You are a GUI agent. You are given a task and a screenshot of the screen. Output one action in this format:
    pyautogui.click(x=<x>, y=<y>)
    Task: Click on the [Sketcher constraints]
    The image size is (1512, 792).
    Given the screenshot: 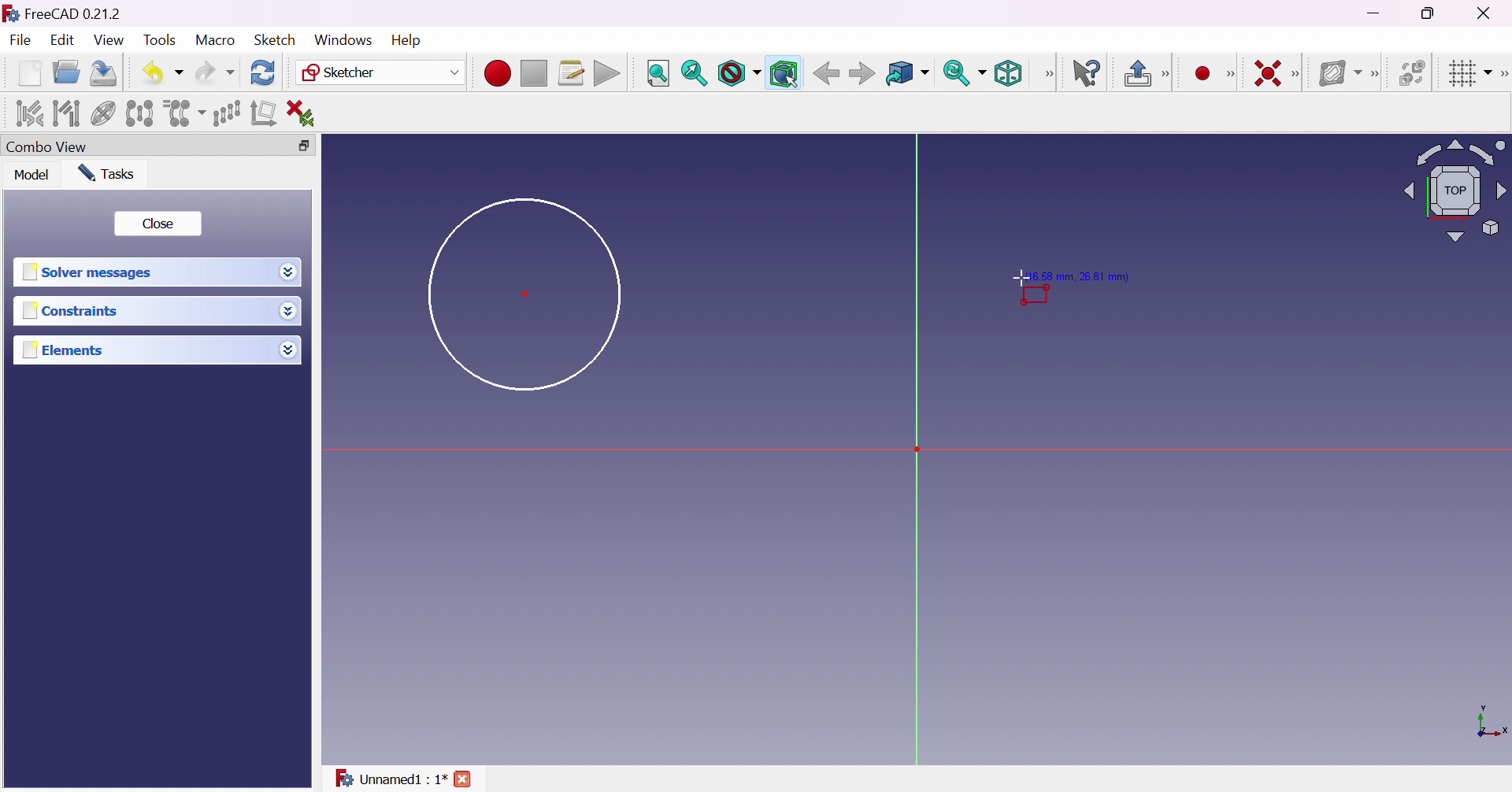 What is the action you would take?
    pyautogui.click(x=1299, y=75)
    